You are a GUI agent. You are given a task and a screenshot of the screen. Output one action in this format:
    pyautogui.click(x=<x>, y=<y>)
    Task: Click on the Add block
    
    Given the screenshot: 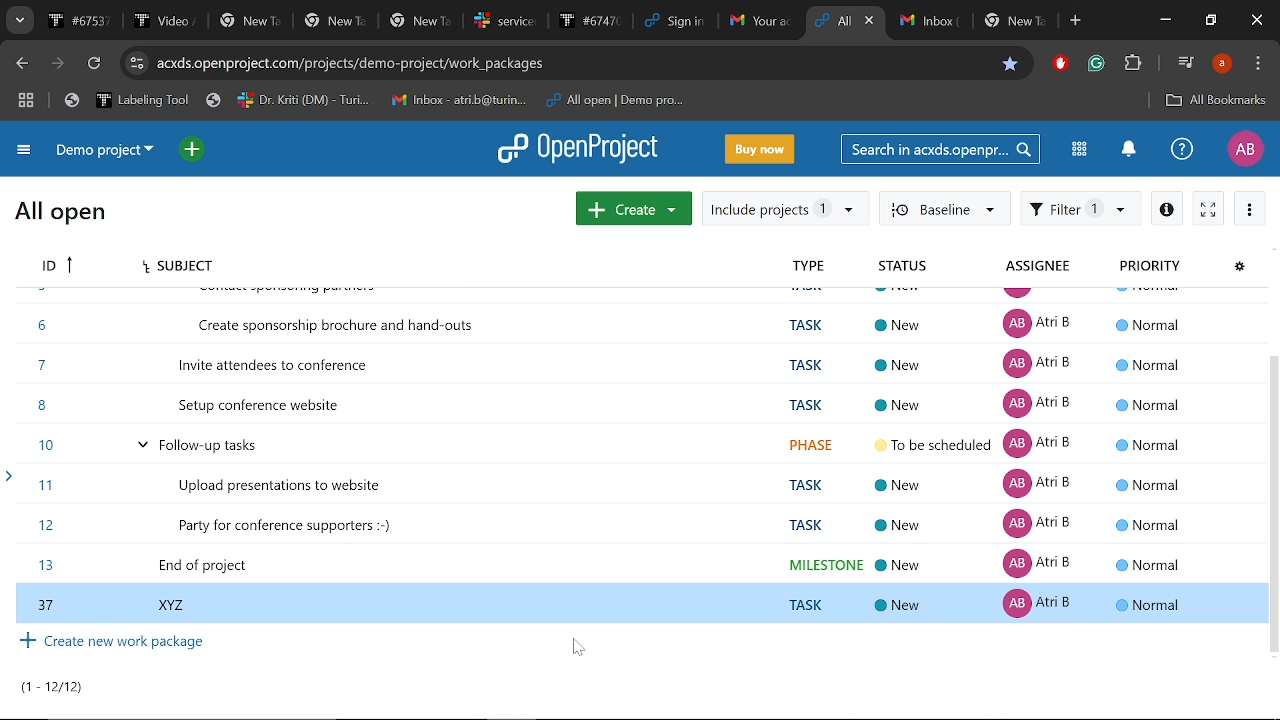 What is the action you would take?
    pyautogui.click(x=1061, y=65)
    